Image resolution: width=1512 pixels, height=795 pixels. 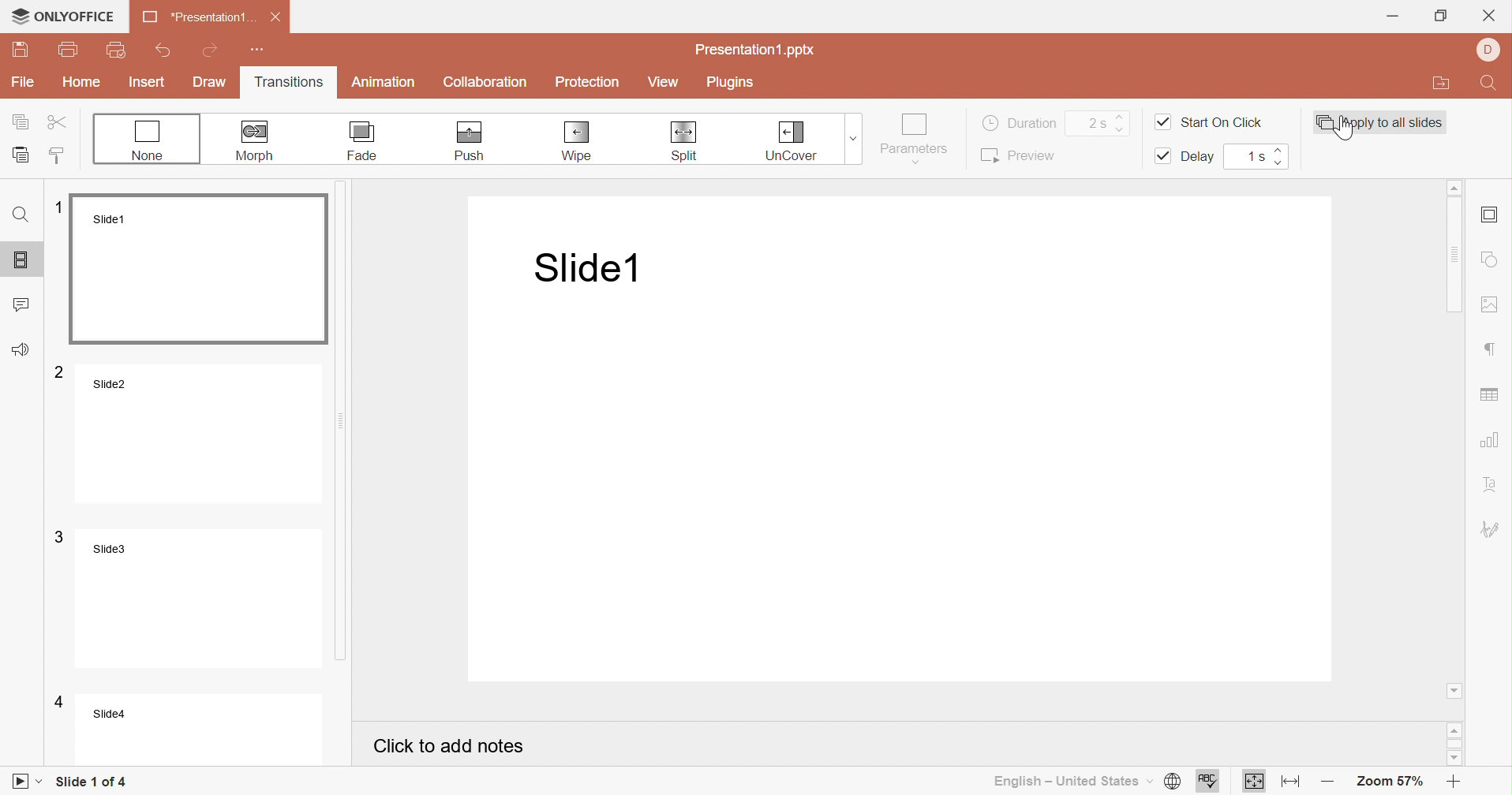 What do you see at coordinates (683, 141) in the screenshot?
I see `Split` at bounding box center [683, 141].